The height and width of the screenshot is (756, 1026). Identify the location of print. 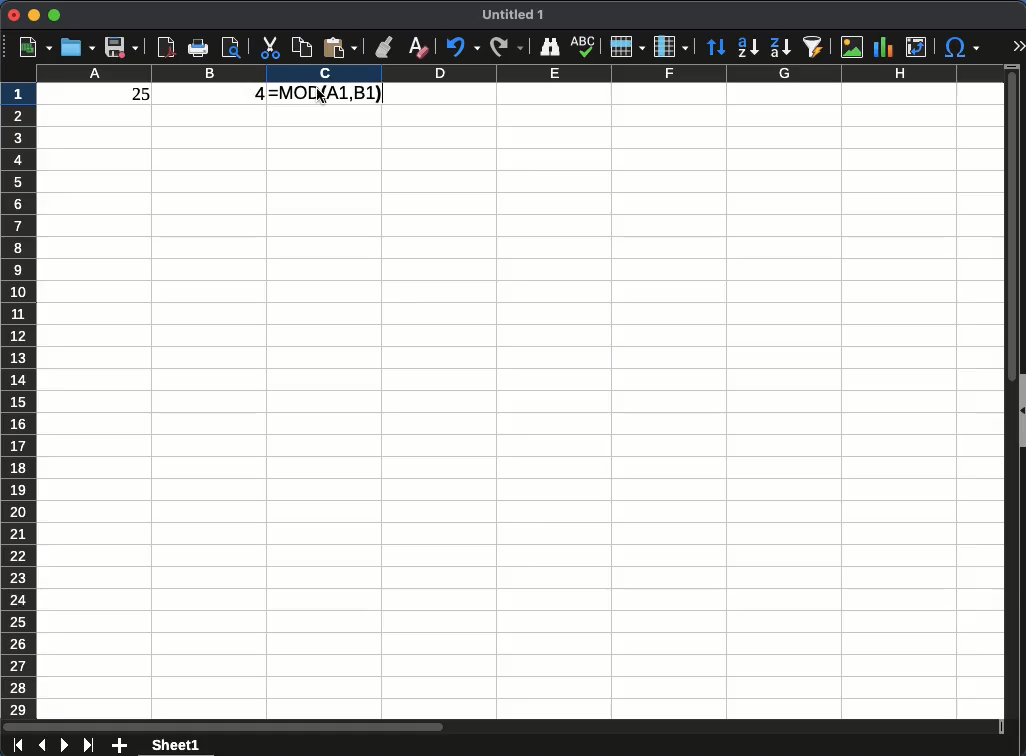
(199, 48).